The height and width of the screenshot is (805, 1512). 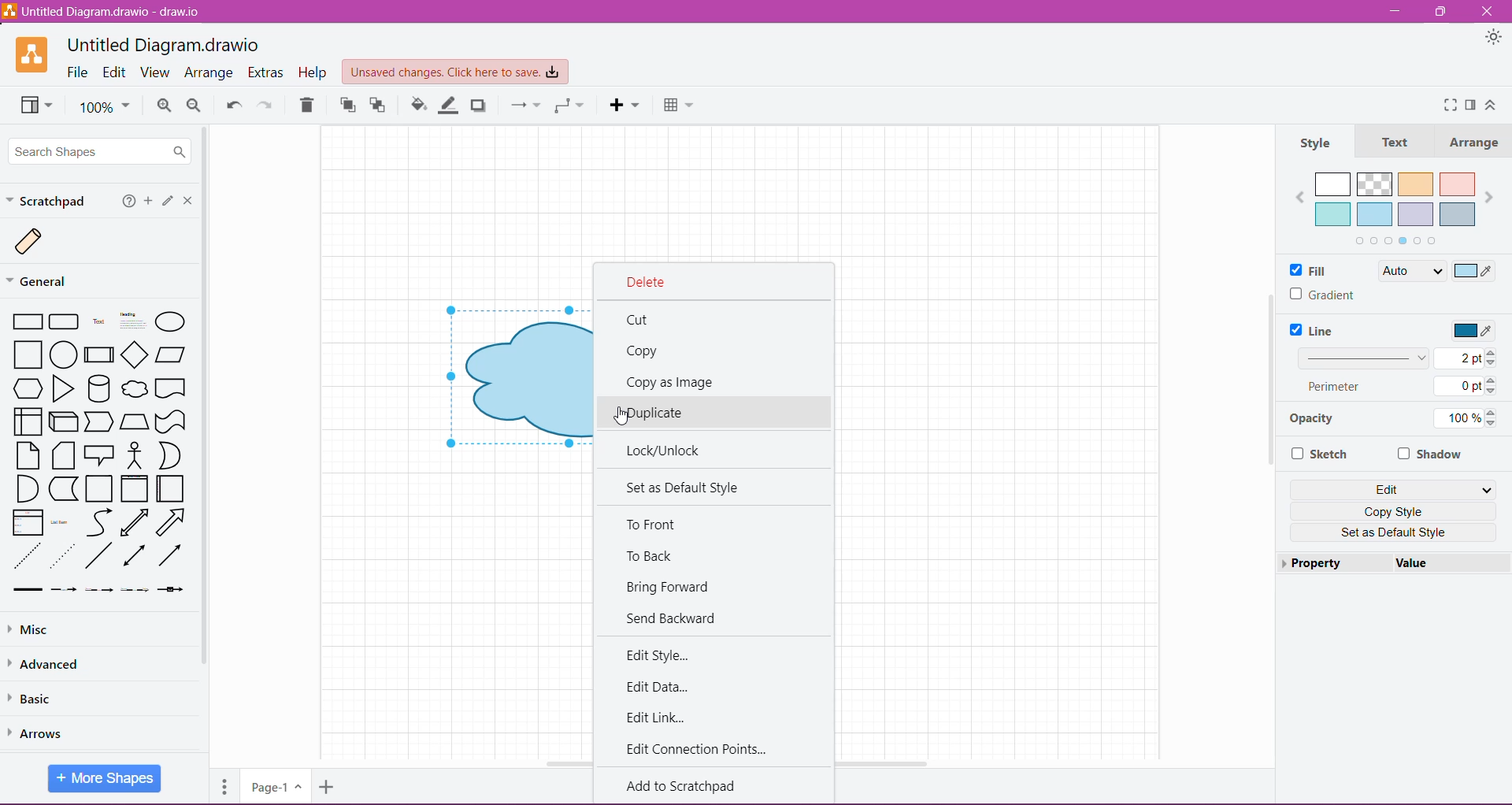 I want to click on Trash, so click(x=306, y=107).